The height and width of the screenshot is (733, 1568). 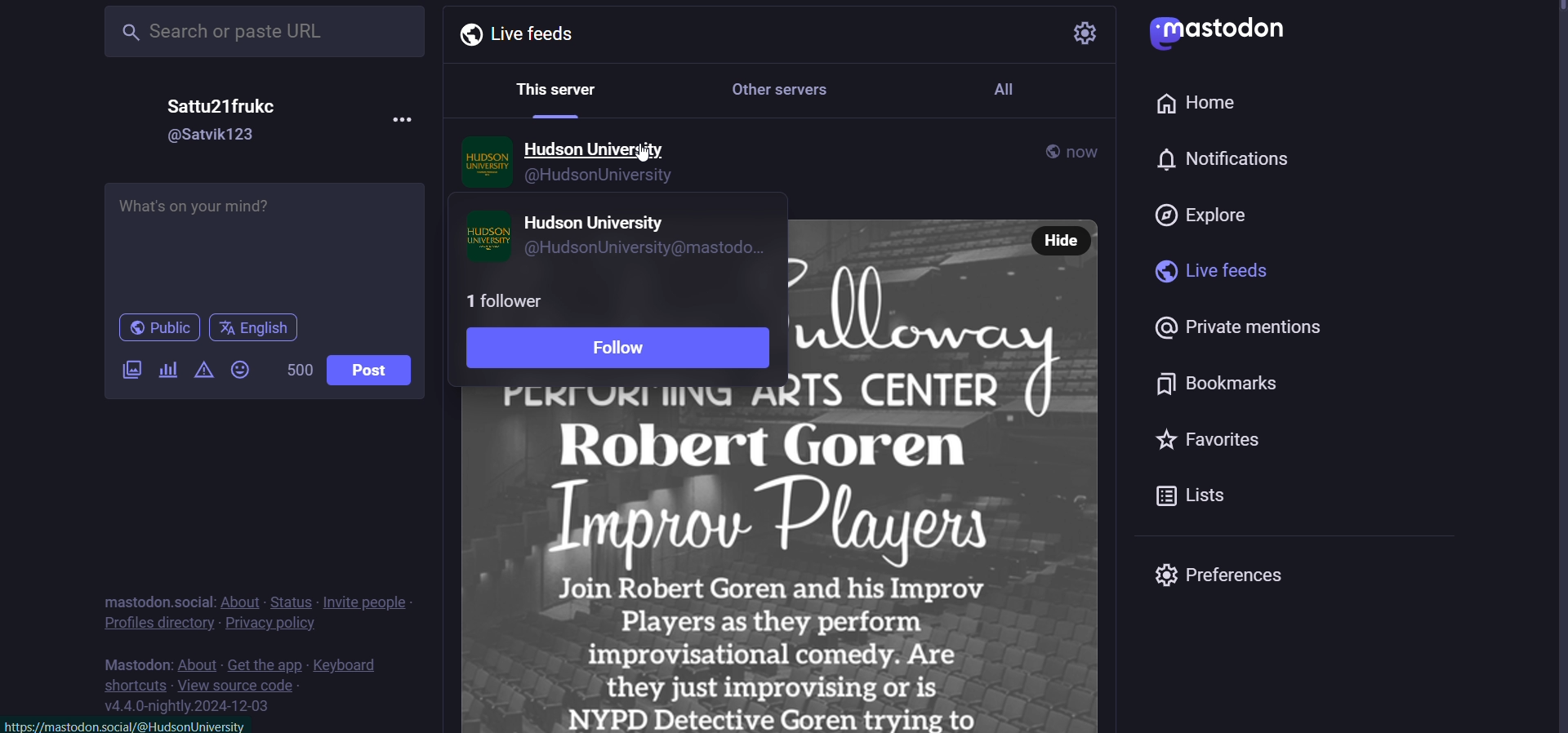 What do you see at coordinates (194, 602) in the screenshot?
I see `social` at bounding box center [194, 602].